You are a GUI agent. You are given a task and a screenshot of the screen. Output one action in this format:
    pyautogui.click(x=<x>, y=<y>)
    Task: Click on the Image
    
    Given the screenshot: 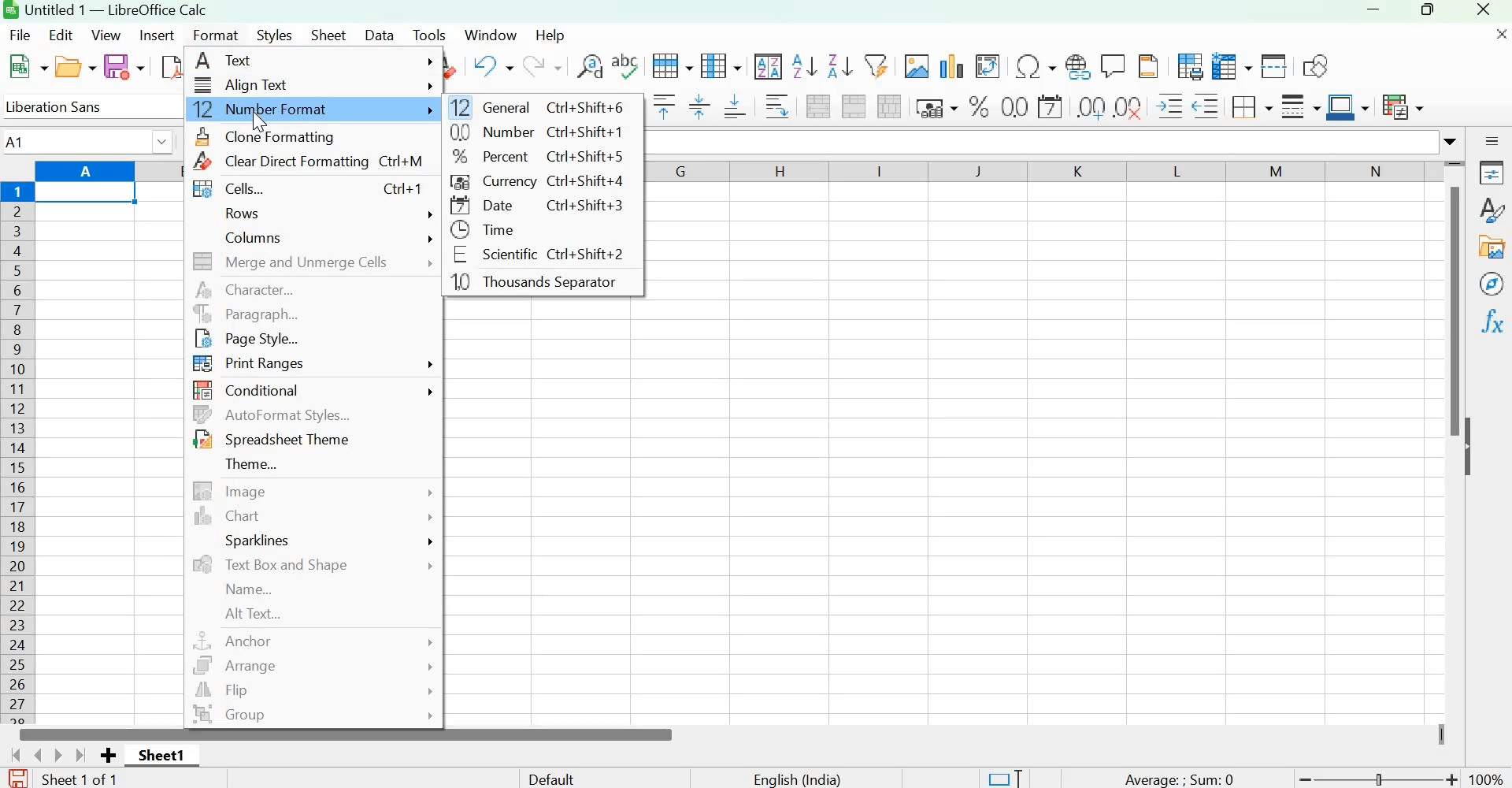 What is the action you would take?
    pyautogui.click(x=232, y=491)
    